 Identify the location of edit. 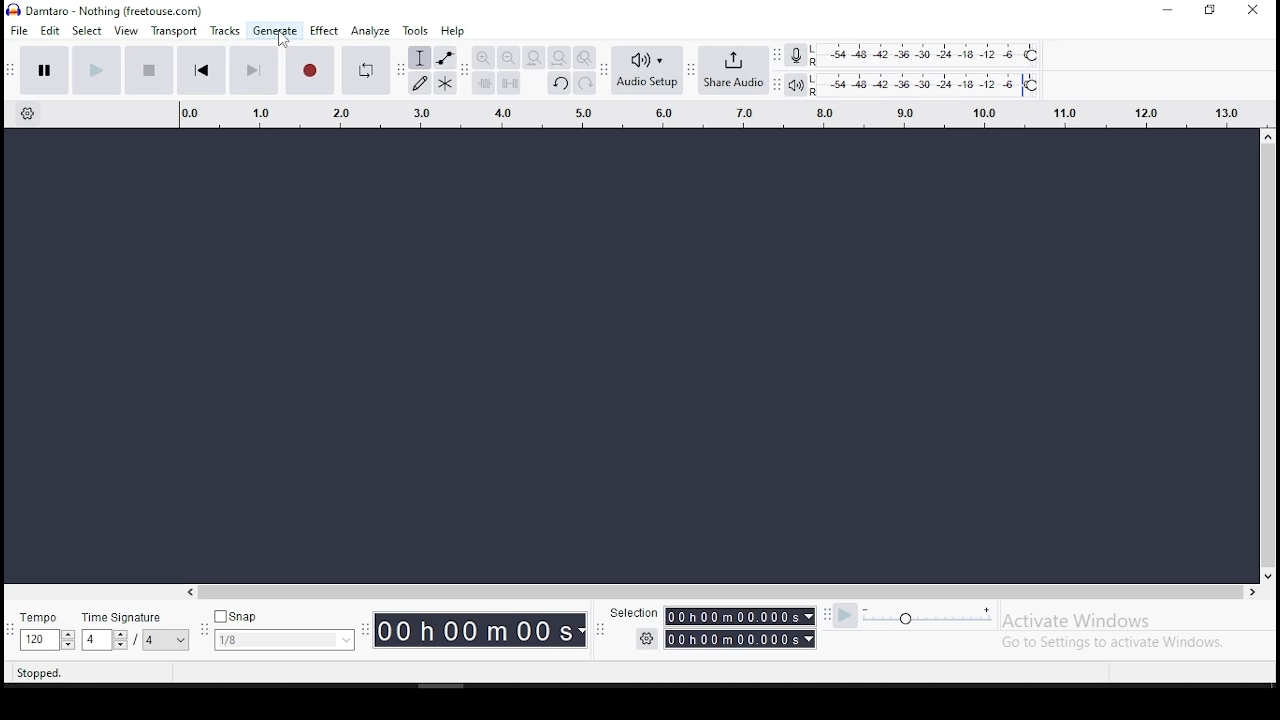
(53, 33).